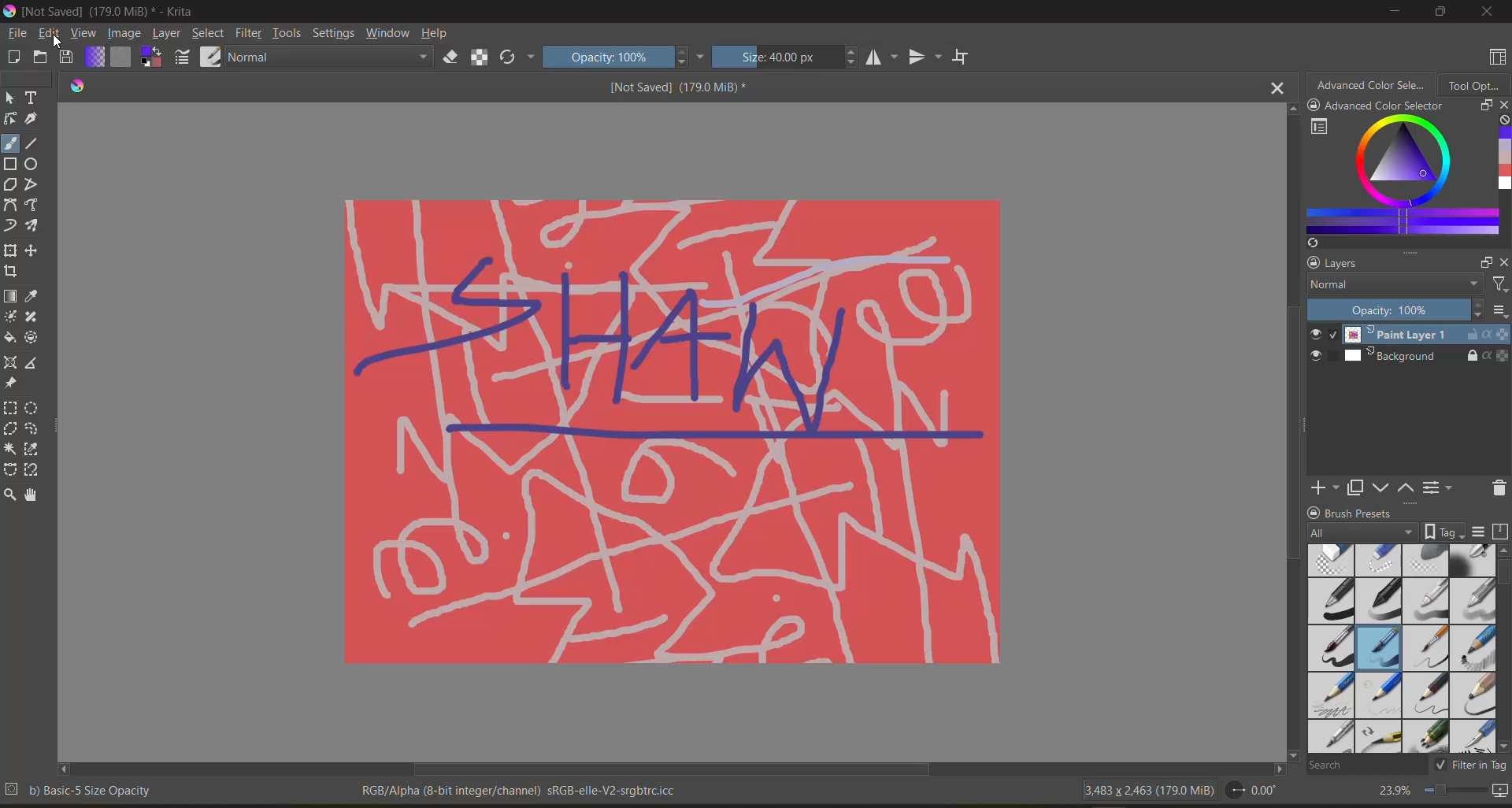 The image size is (1512, 808). Describe the element at coordinates (1503, 261) in the screenshot. I see `close docker` at that location.